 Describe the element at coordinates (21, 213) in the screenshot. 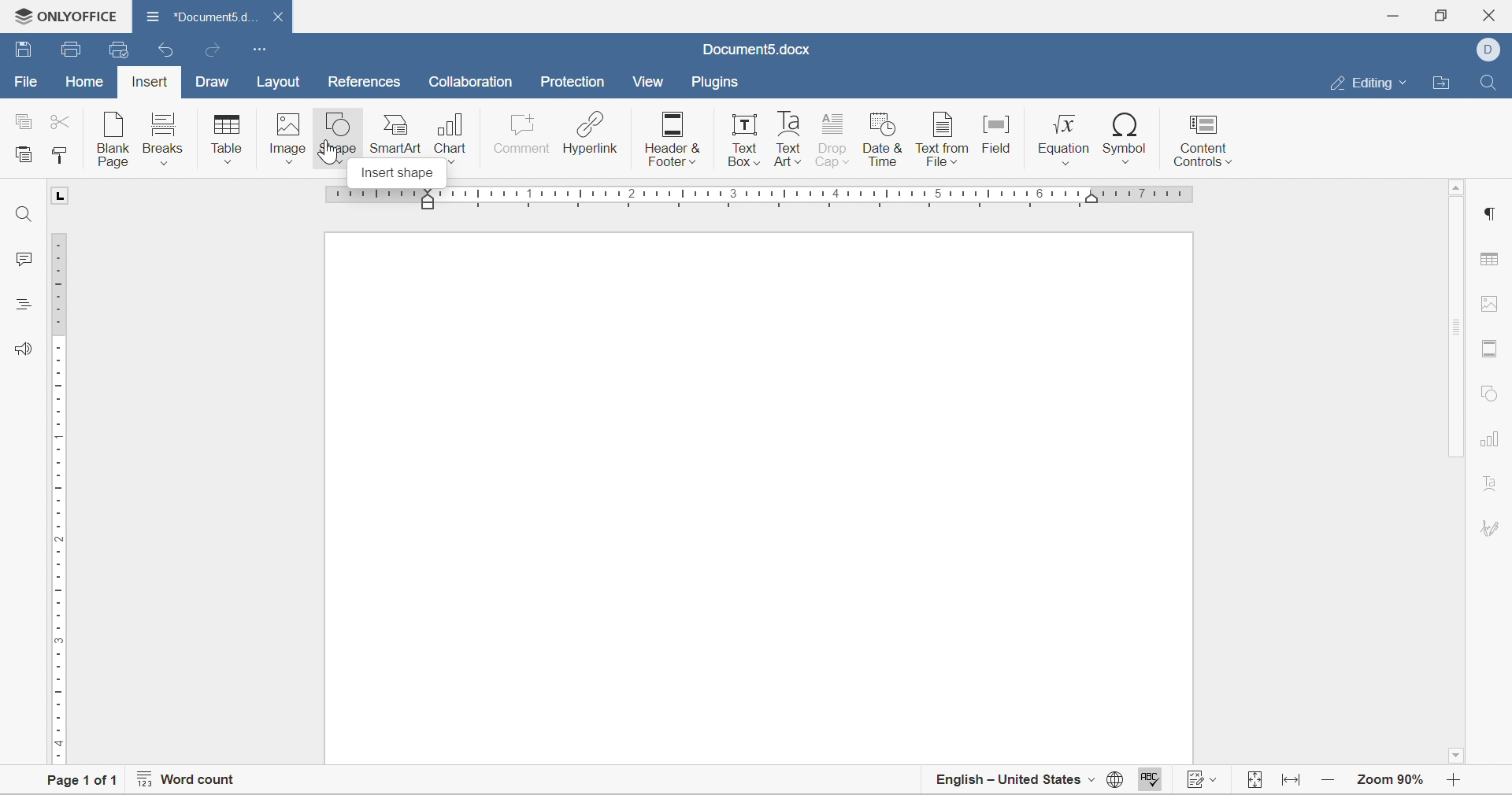

I see `find` at that location.